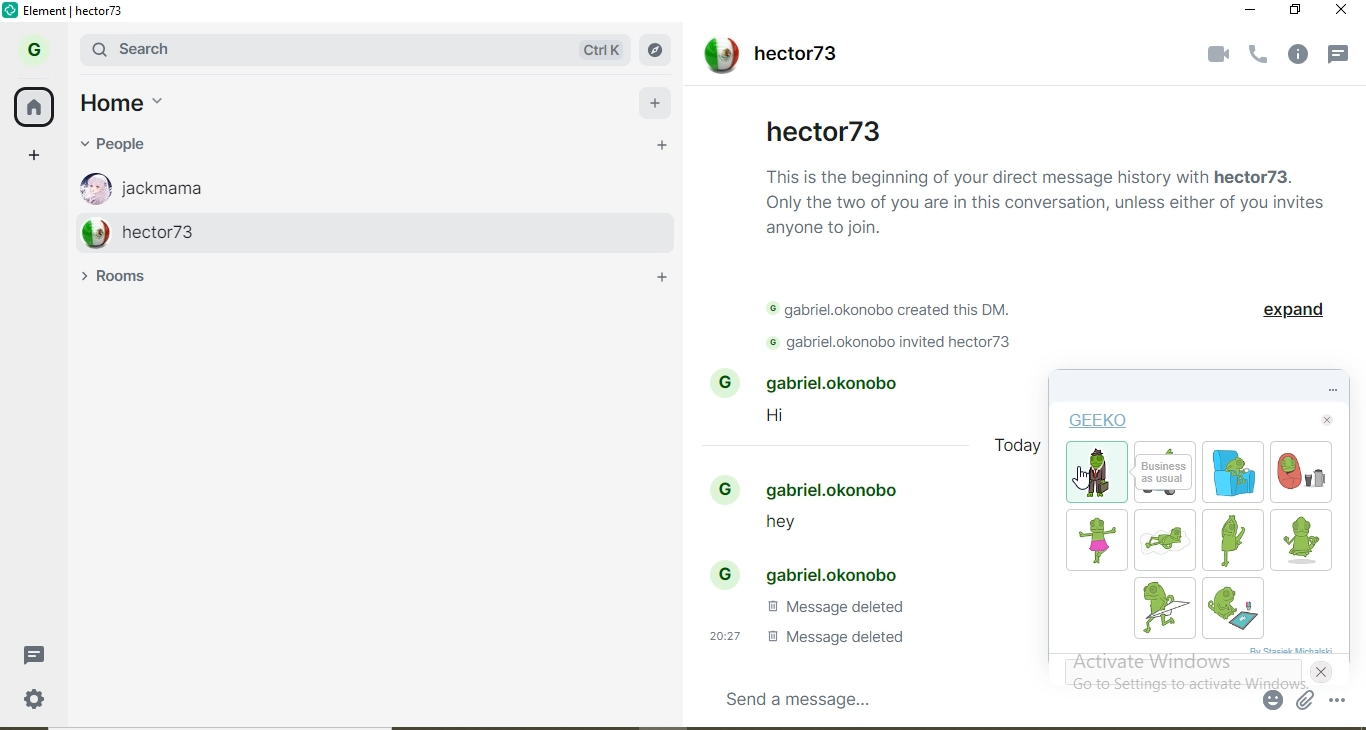  I want to click on sticker, so click(1233, 477).